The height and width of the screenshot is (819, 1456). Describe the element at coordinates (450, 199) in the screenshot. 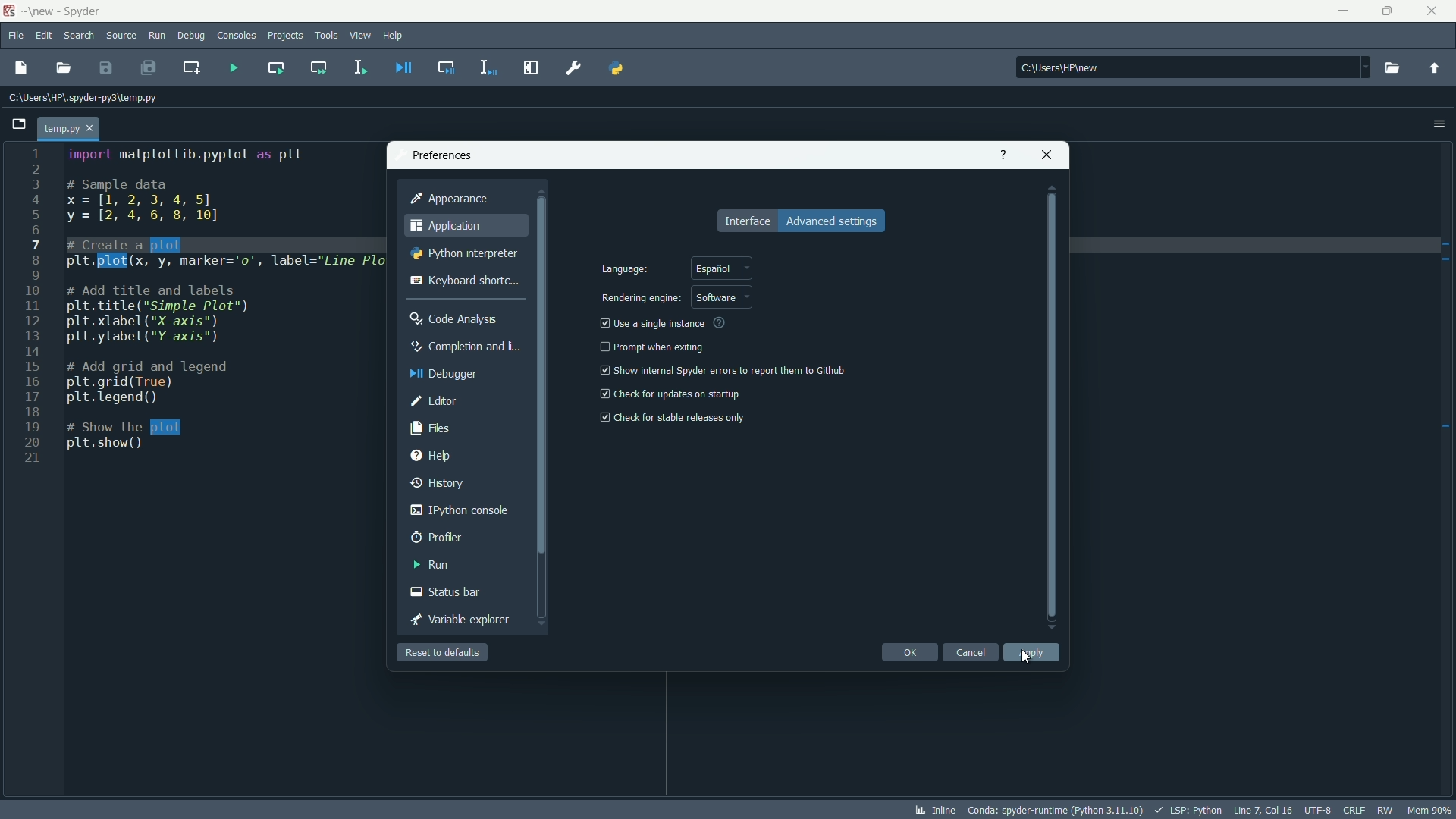

I see `appearance` at that location.